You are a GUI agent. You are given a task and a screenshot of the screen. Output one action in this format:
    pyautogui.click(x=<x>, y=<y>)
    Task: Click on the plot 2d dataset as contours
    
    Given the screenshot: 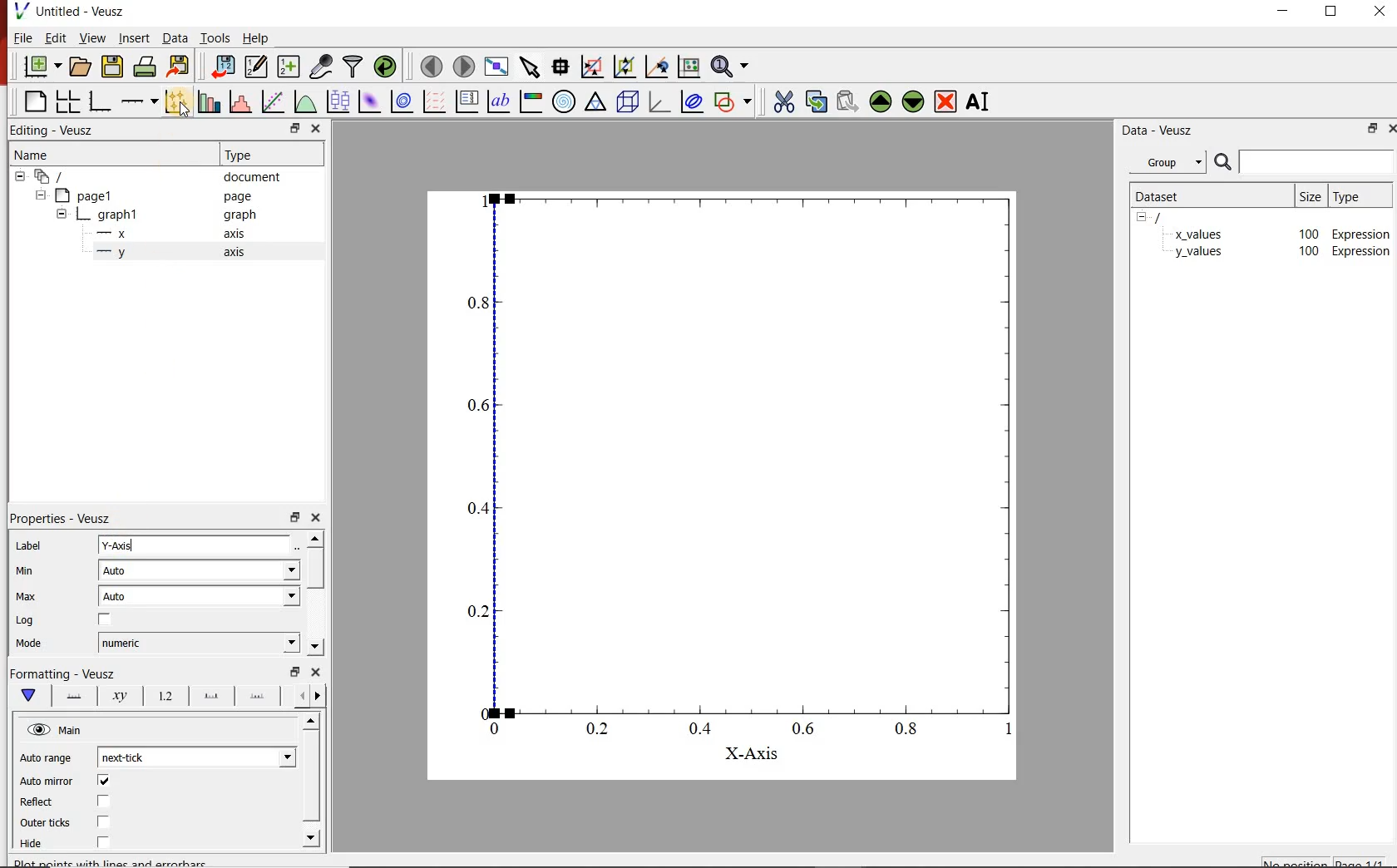 What is the action you would take?
    pyautogui.click(x=403, y=101)
    